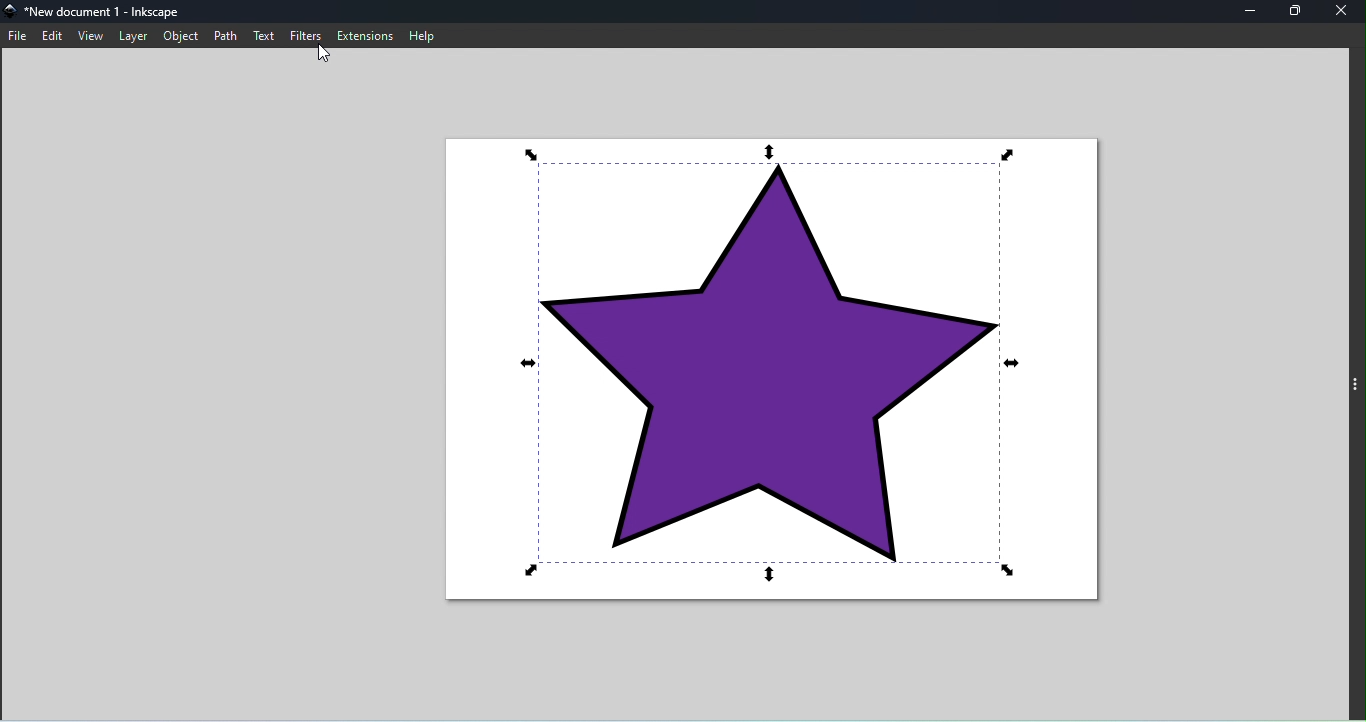 The height and width of the screenshot is (722, 1366). Describe the element at coordinates (184, 36) in the screenshot. I see `object` at that location.